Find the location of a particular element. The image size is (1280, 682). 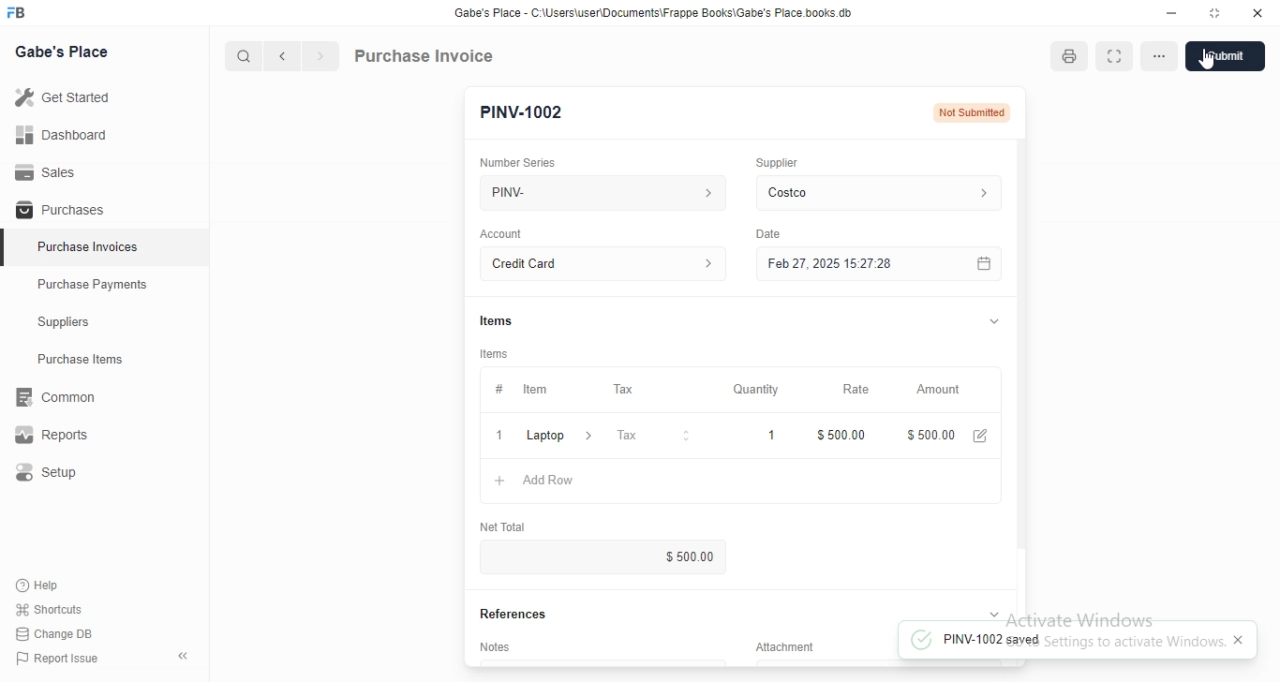

Supplier is located at coordinates (777, 163).